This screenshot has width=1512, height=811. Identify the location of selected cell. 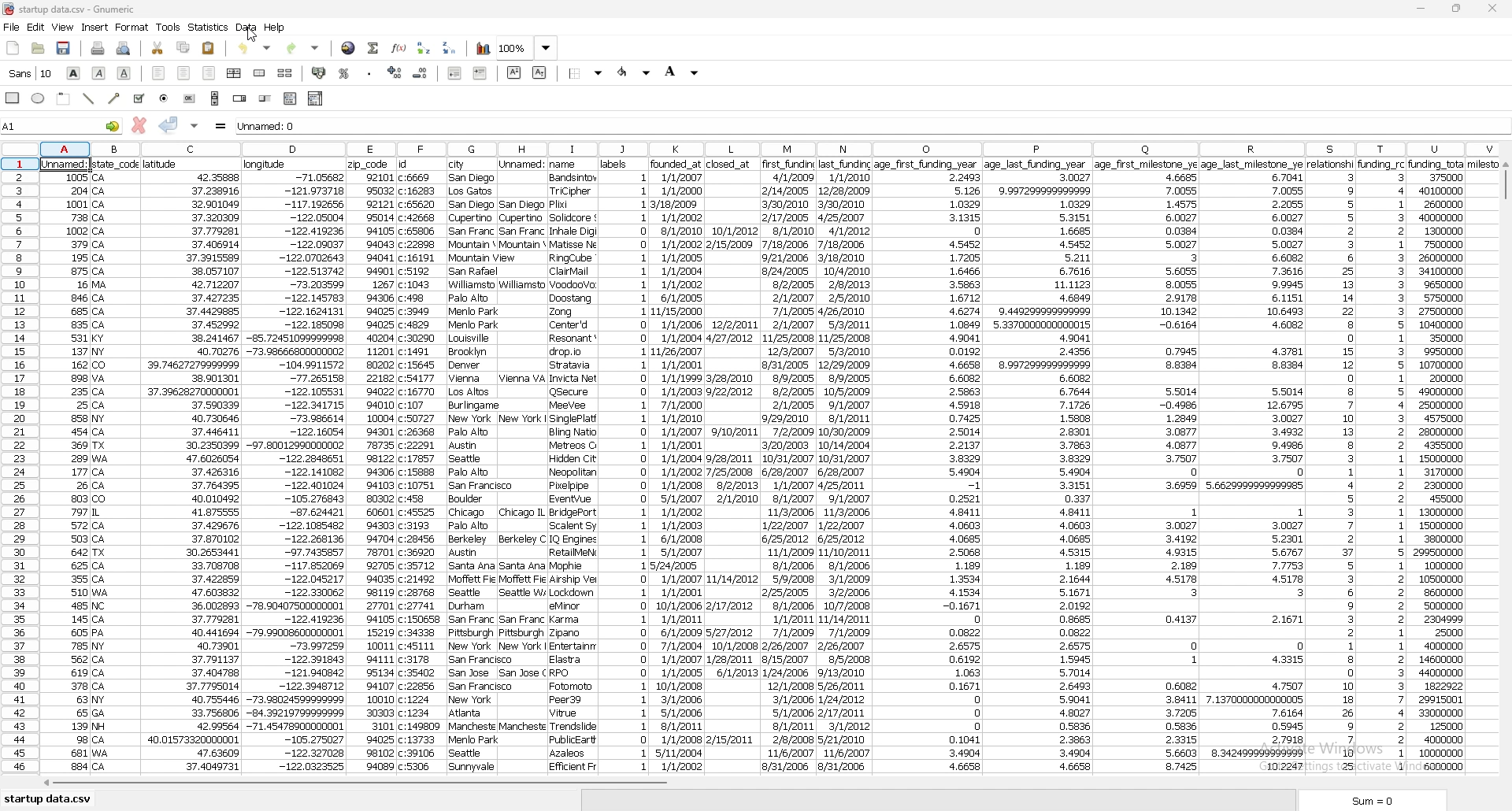
(61, 125).